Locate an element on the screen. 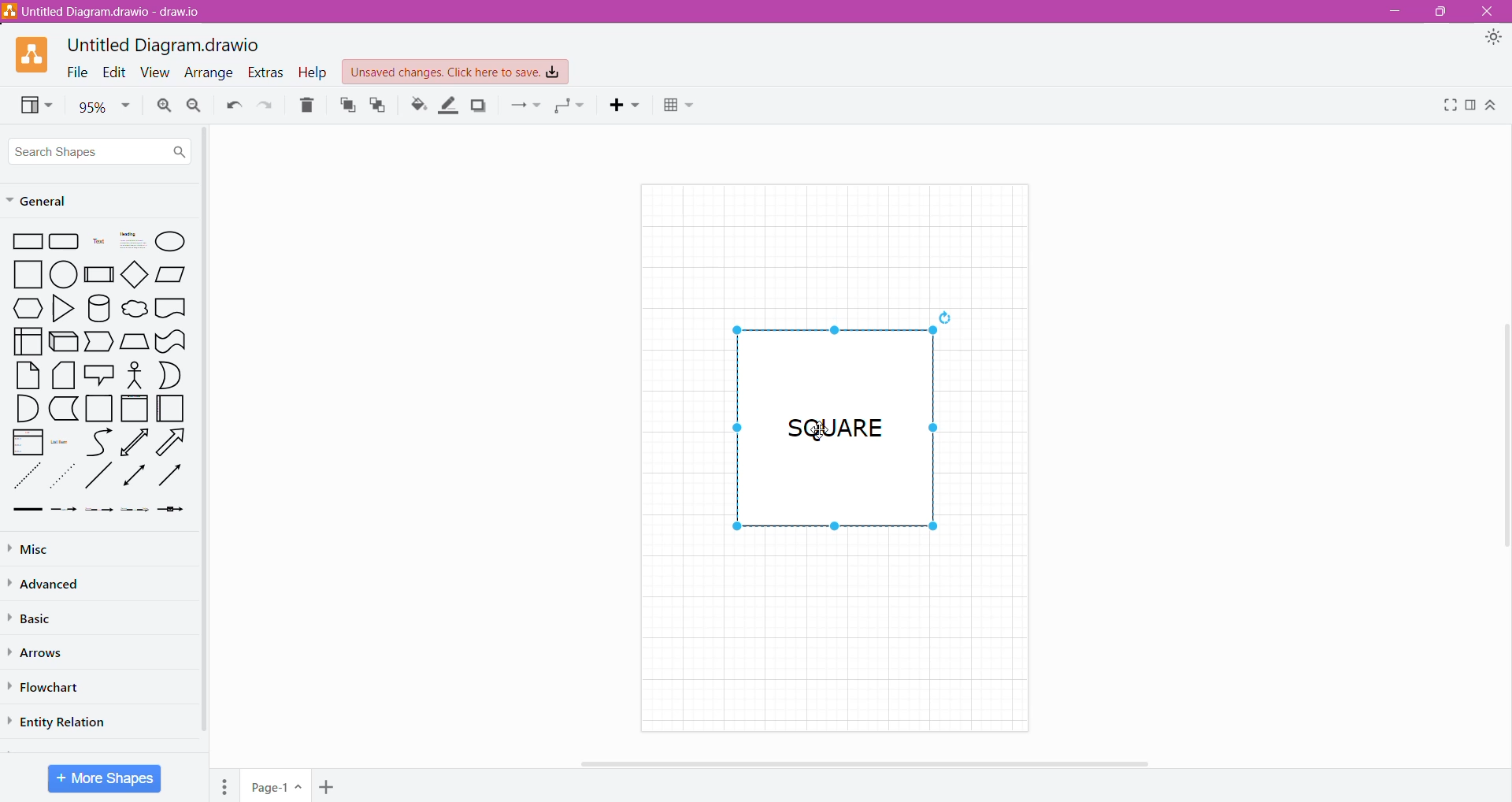 Image resolution: width=1512 pixels, height=802 pixels. Zoom is located at coordinates (101, 107).